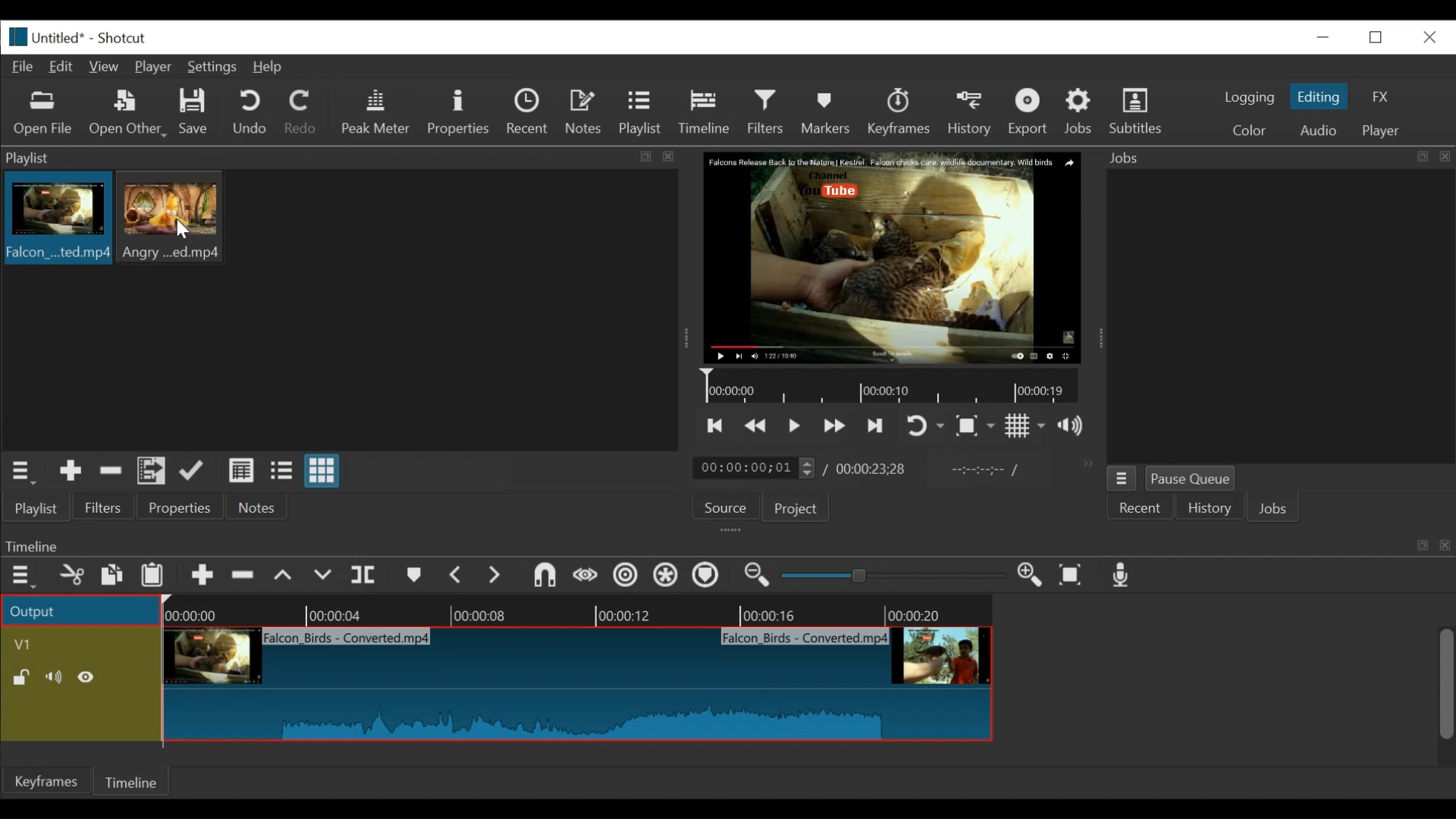  What do you see at coordinates (582, 685) in the screenshot?
I see `clip` at bounding box center [582, 685].